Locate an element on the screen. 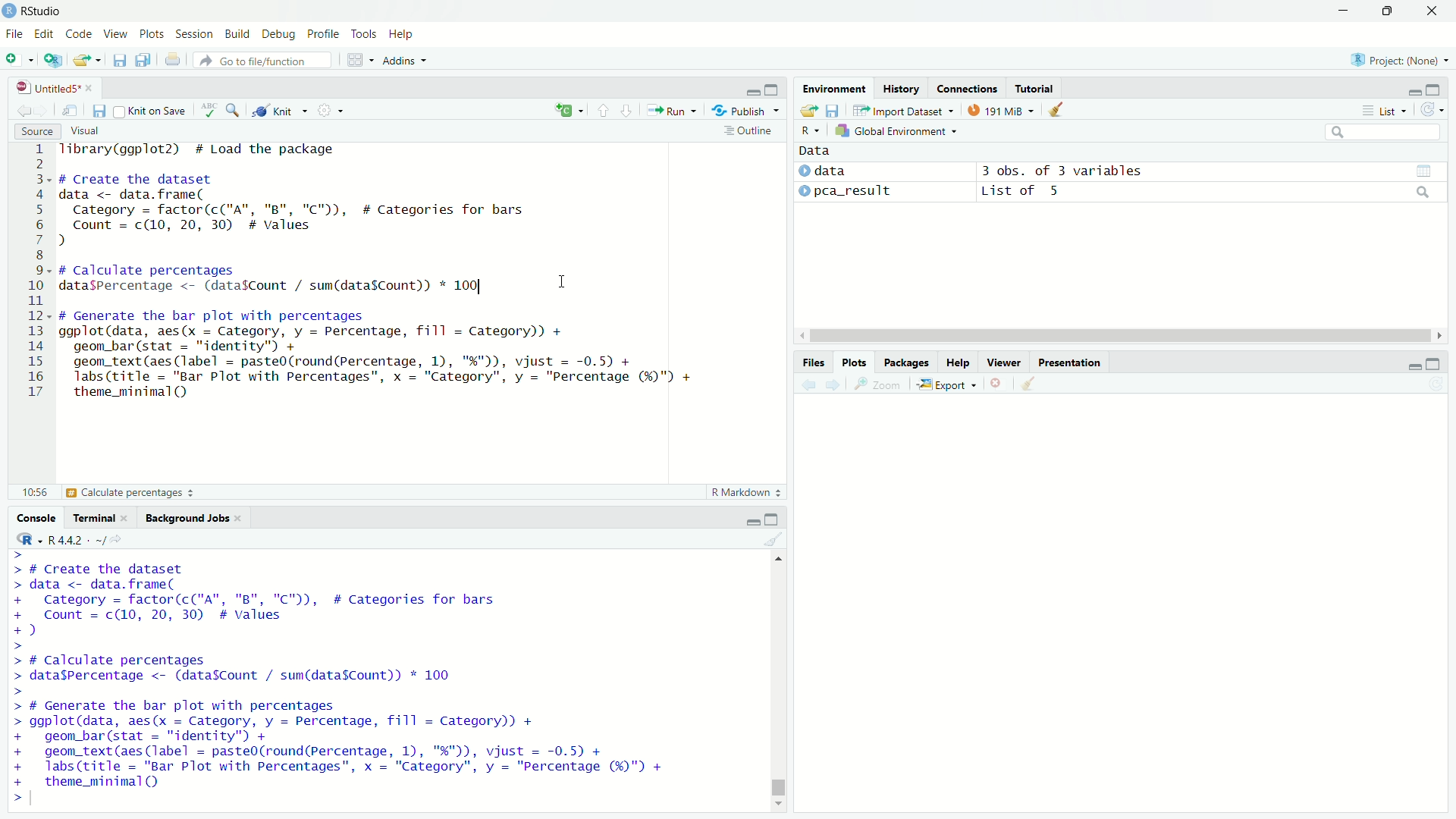  find and repace is located at coordinates (234, 110).